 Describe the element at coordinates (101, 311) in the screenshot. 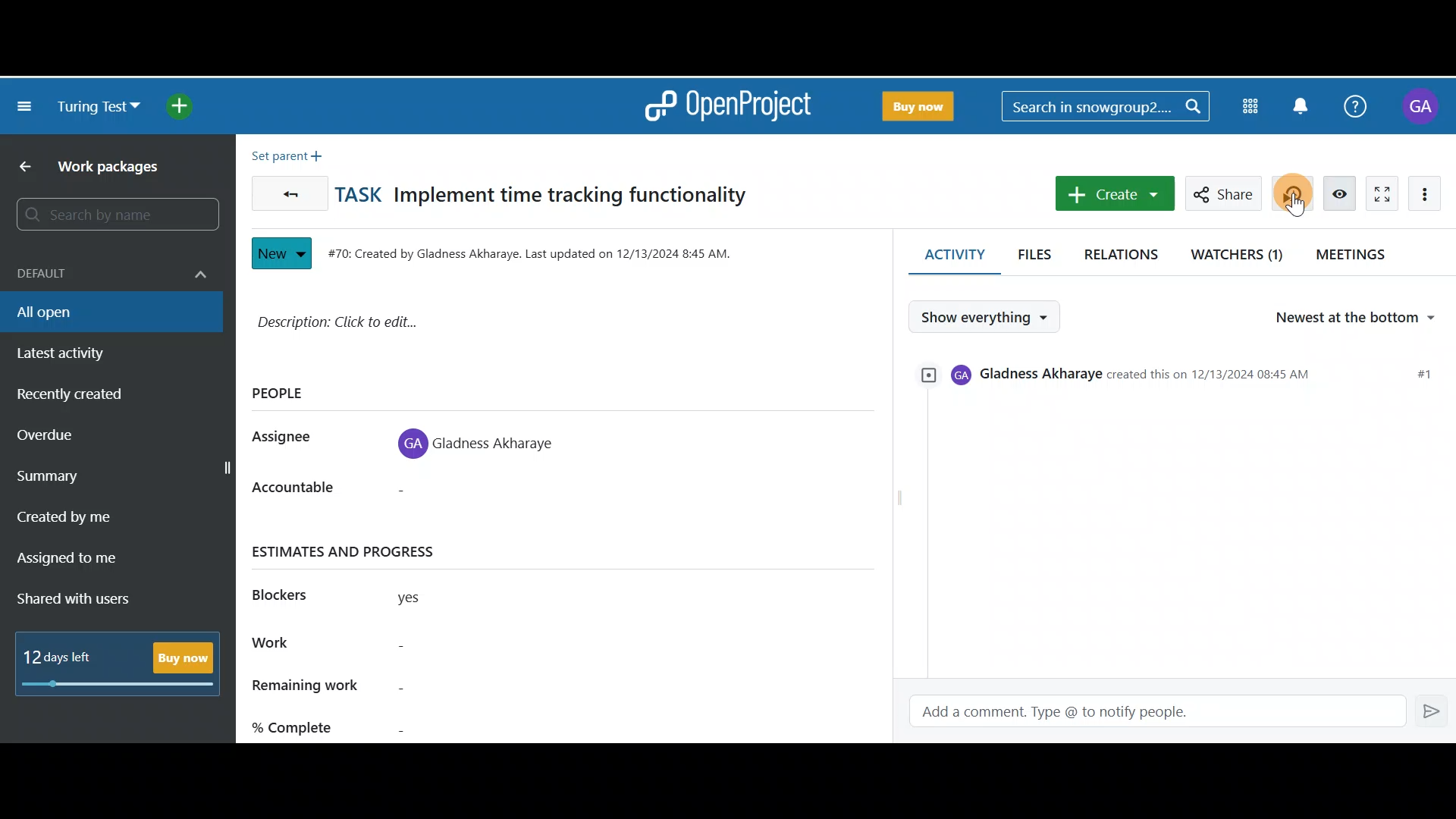

I see `All open` at that location.